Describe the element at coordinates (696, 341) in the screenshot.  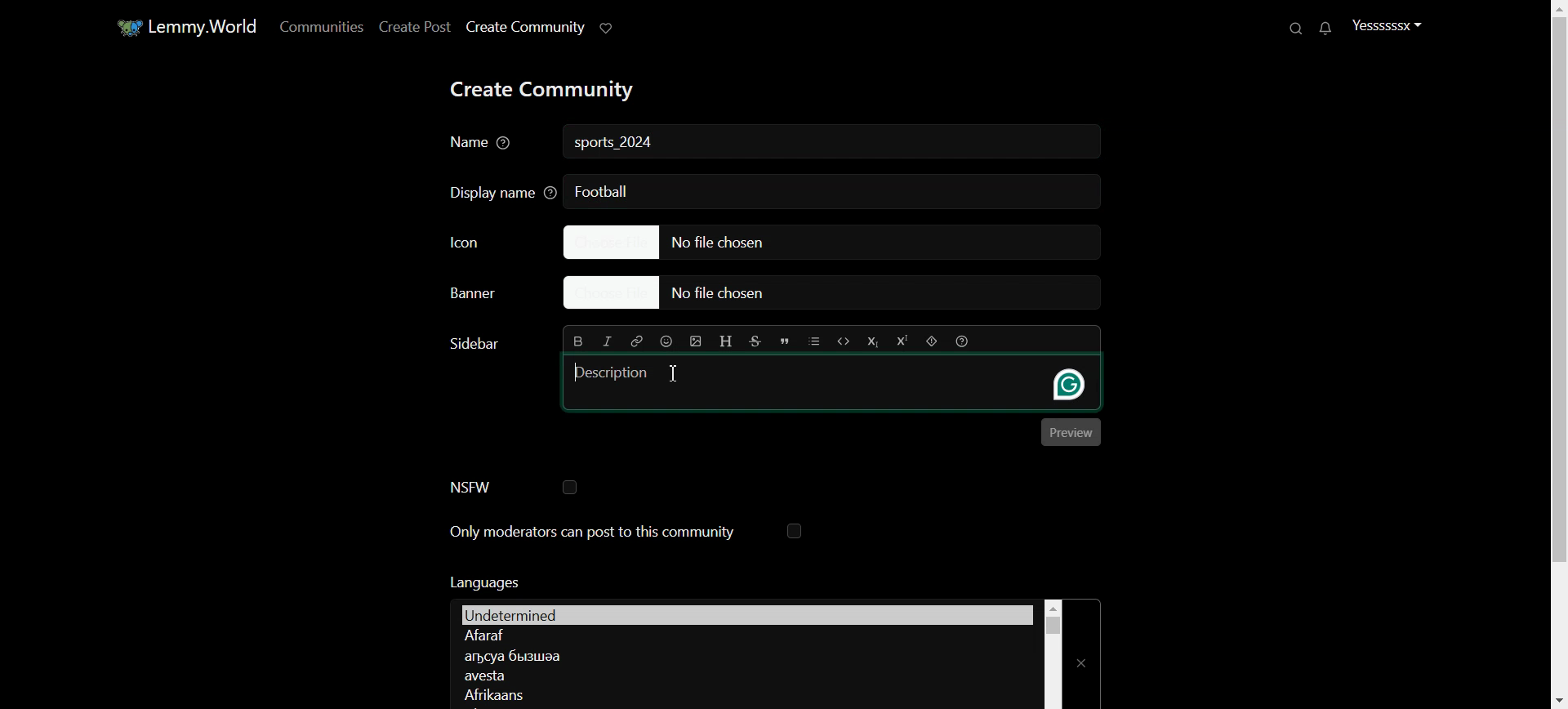
I see `Insert Picture` at that location.